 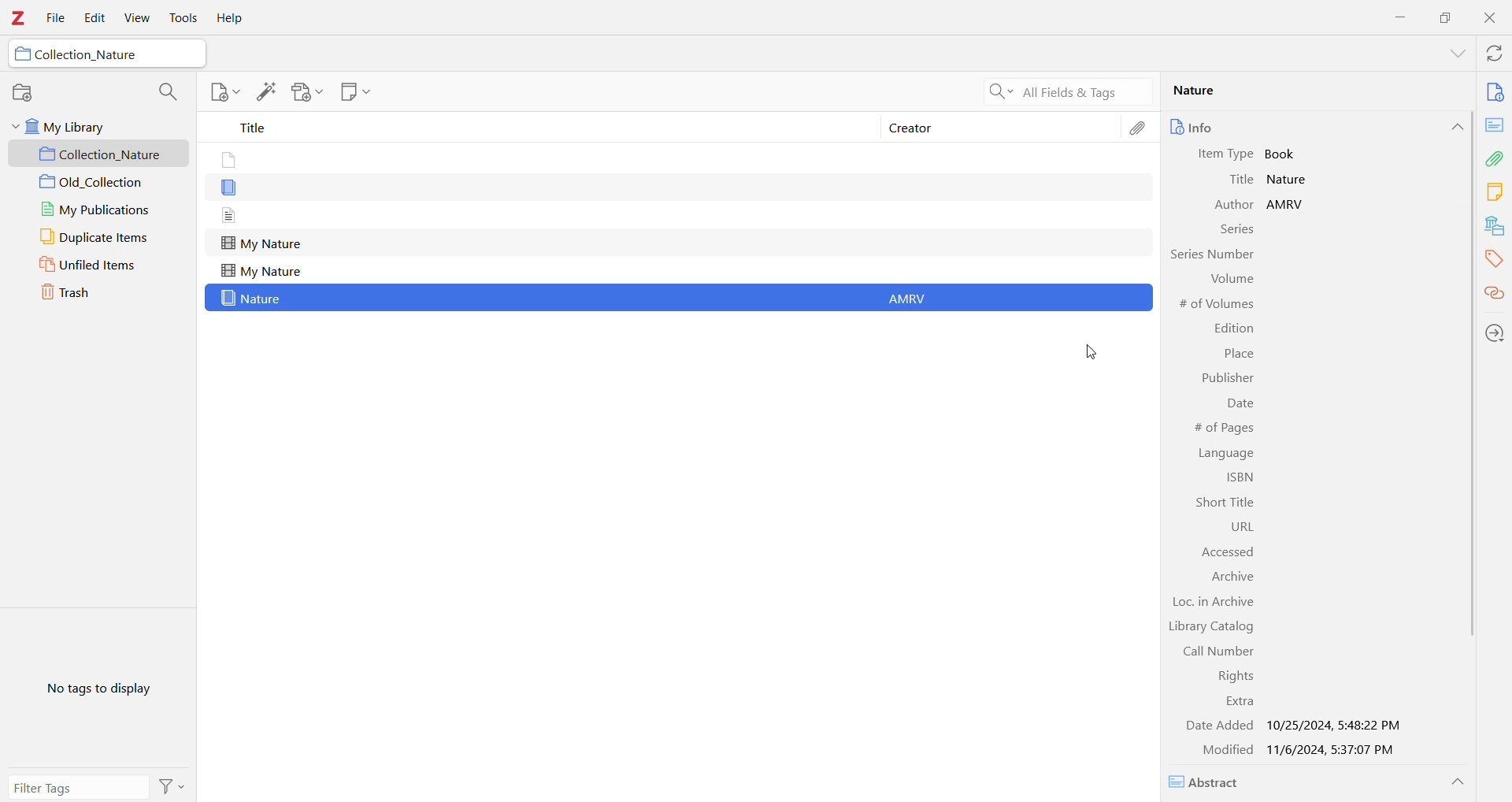 I want to click on My Library, so click(x=91, y=128).